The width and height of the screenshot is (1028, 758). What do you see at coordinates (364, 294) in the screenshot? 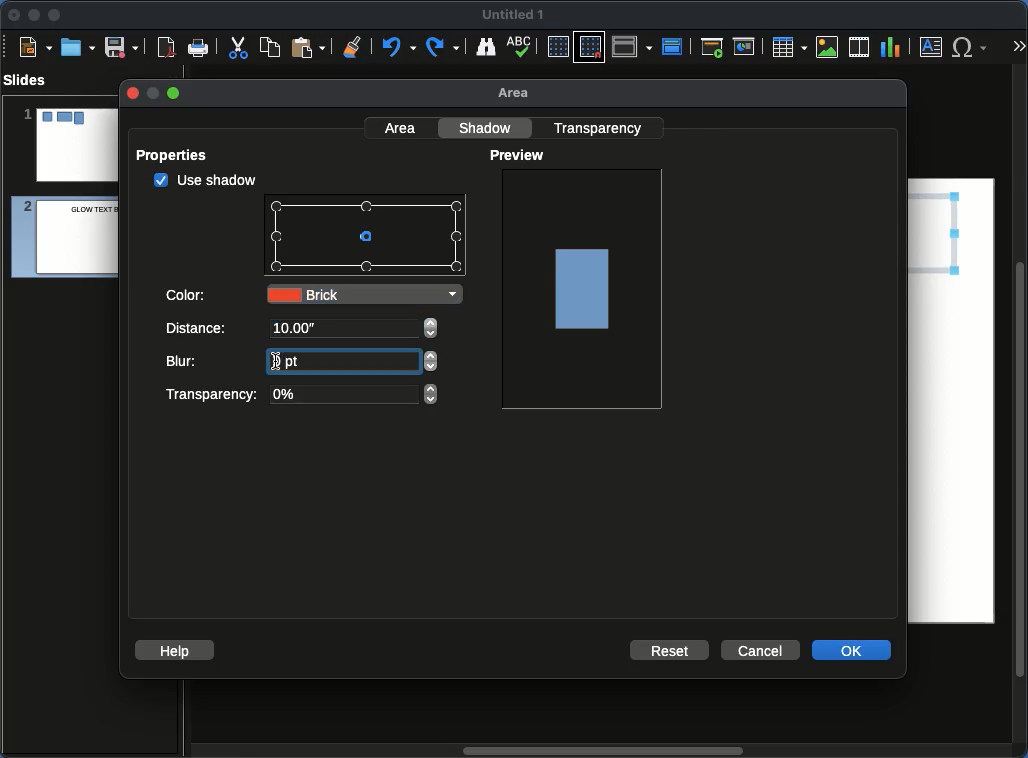
I see `Brick` at bounding box center [364, 294].